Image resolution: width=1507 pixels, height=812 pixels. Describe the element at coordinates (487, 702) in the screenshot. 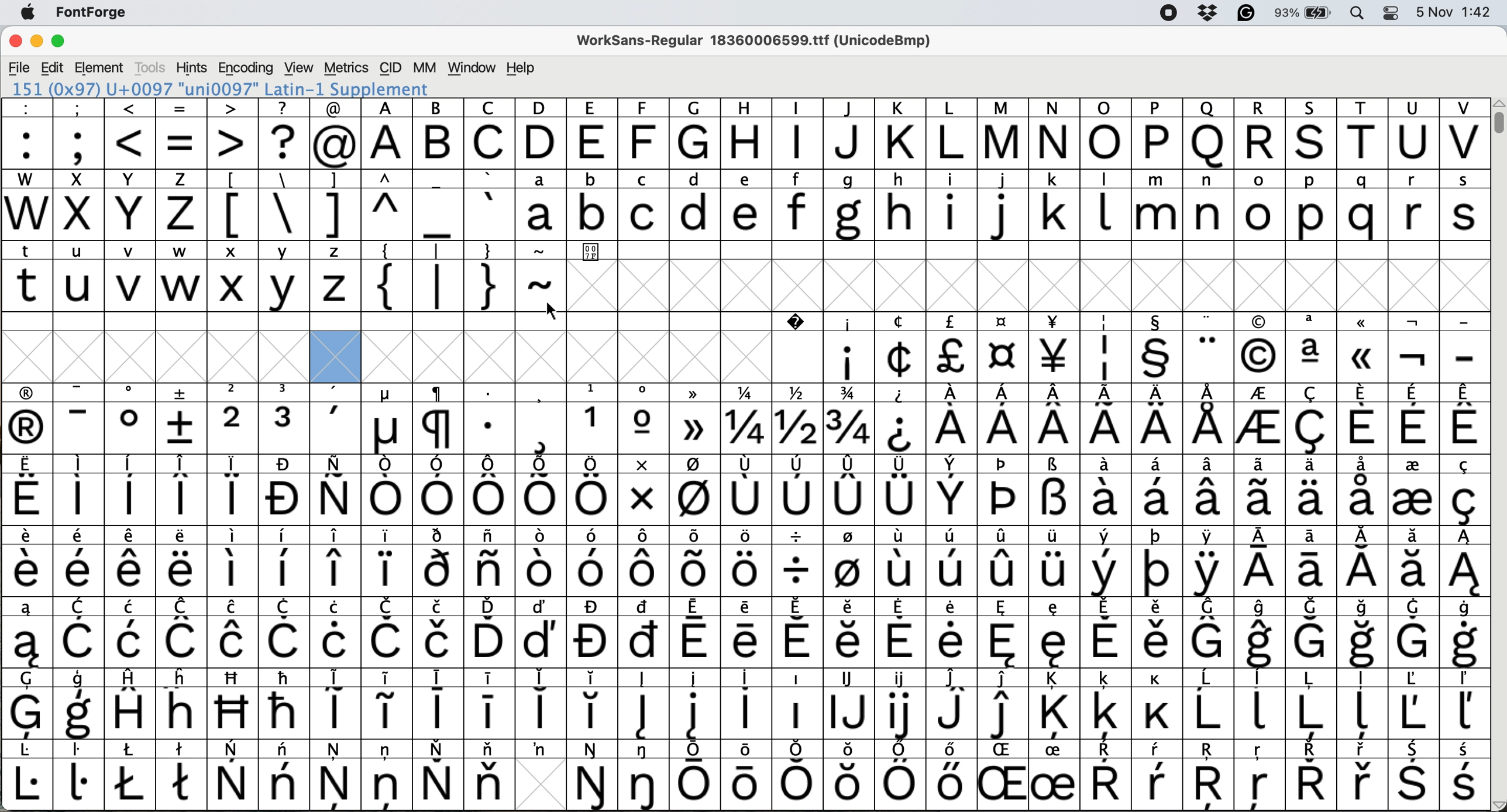

I see `symbol` at that location.